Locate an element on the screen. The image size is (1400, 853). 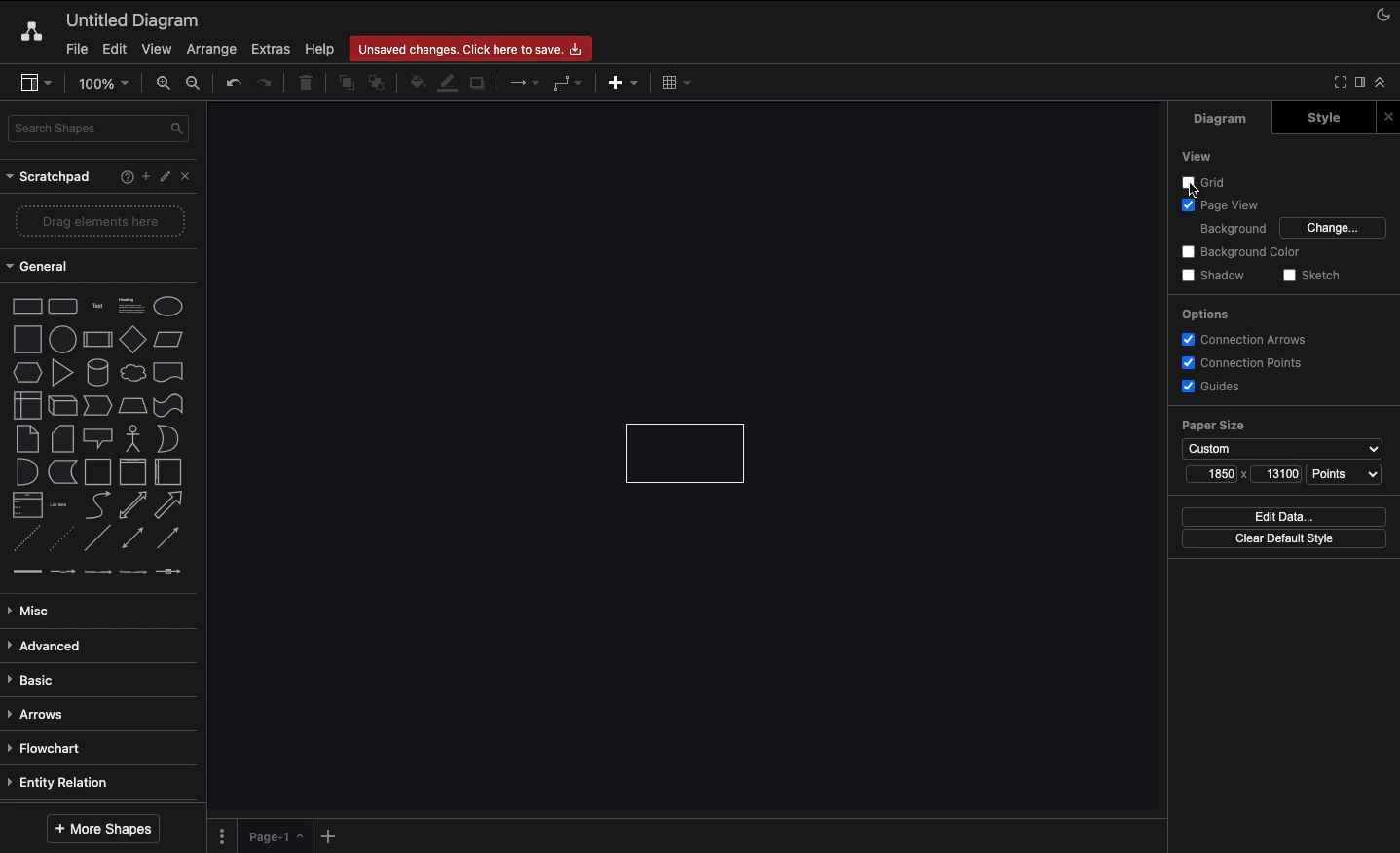
Arrange is located at coordinates (210, 49).